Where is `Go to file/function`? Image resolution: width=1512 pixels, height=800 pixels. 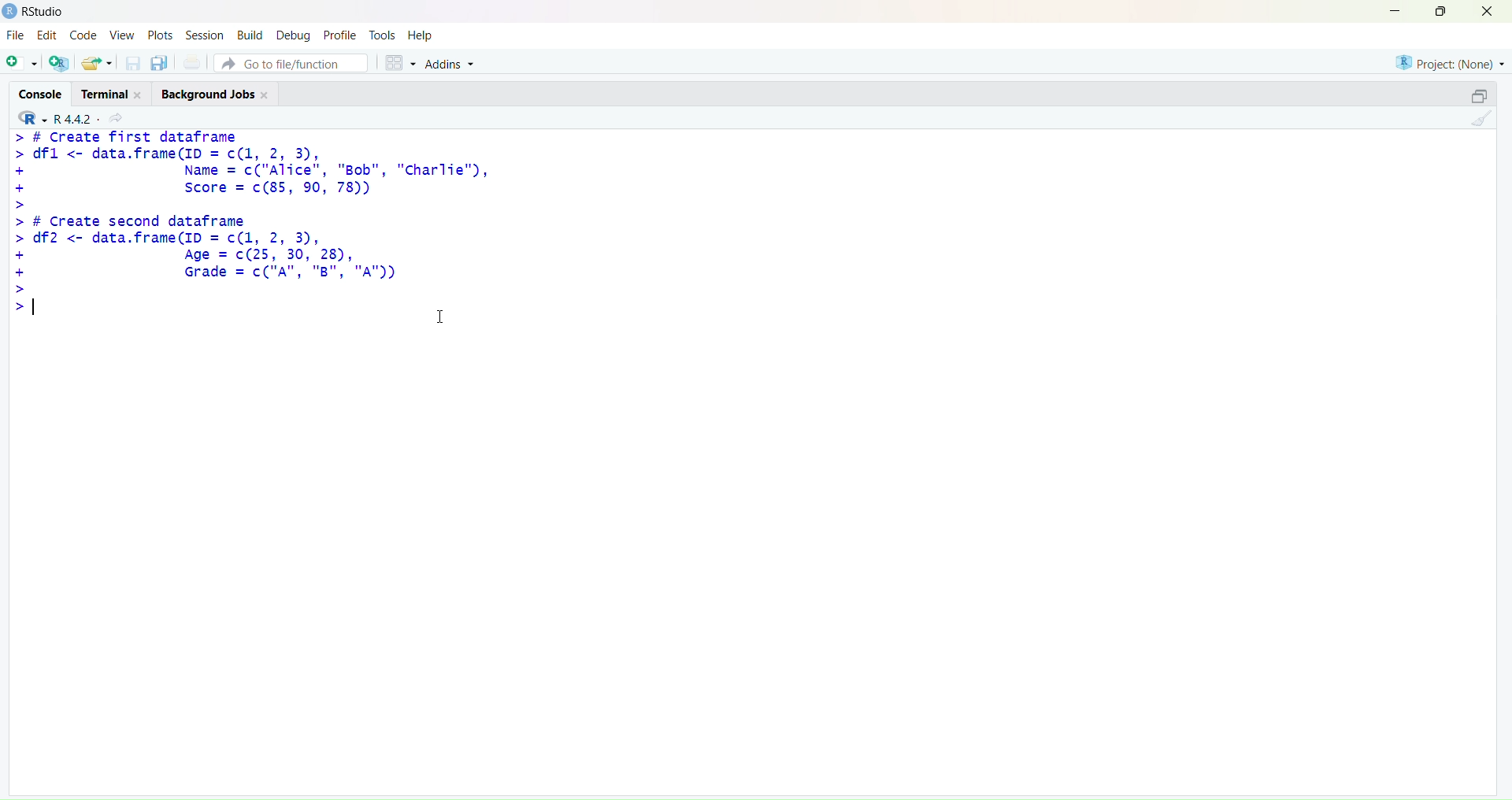
Go to file/function is located at coordinates (291, 63).